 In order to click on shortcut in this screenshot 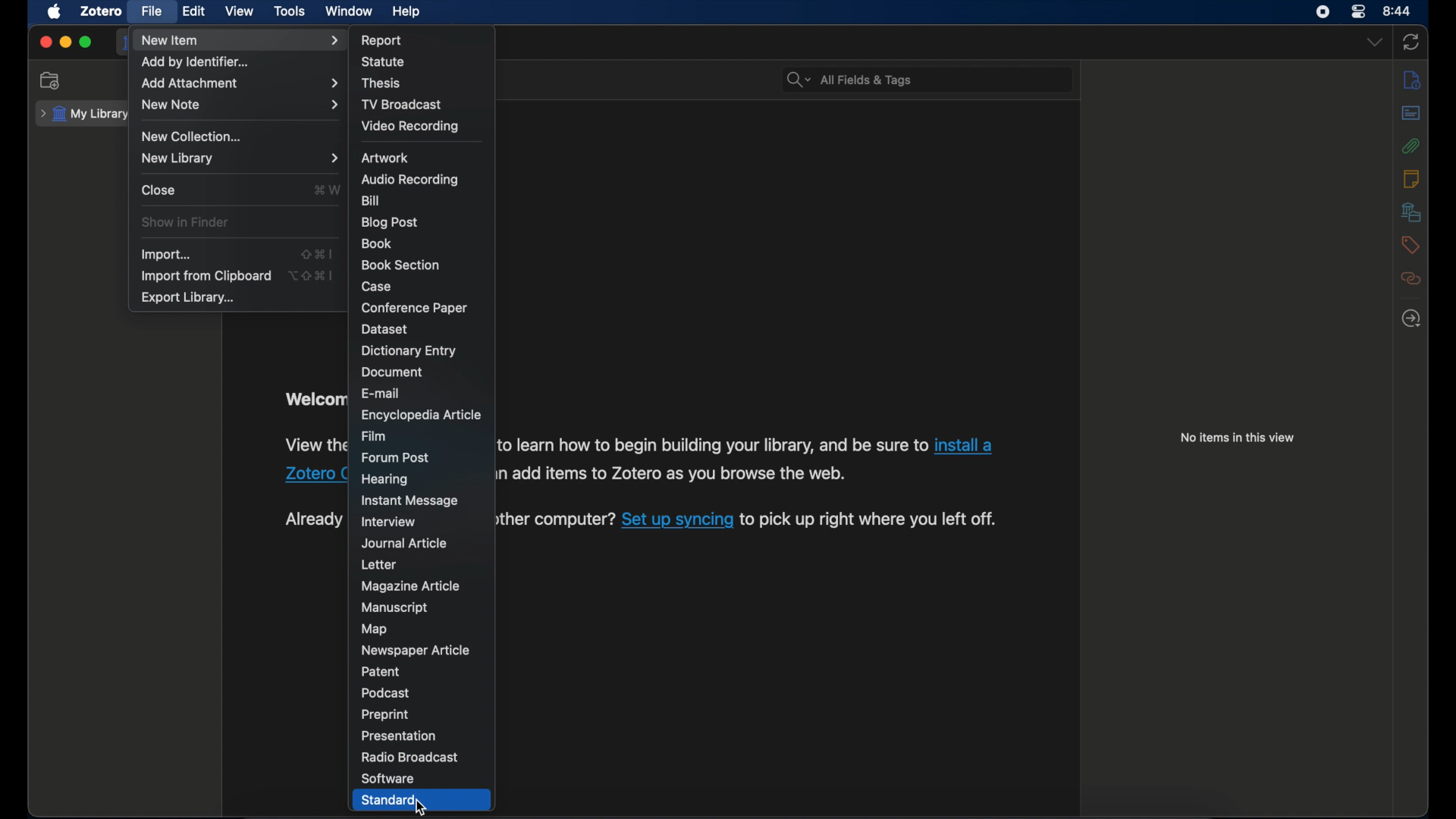, I will do `click(310, 276)`.